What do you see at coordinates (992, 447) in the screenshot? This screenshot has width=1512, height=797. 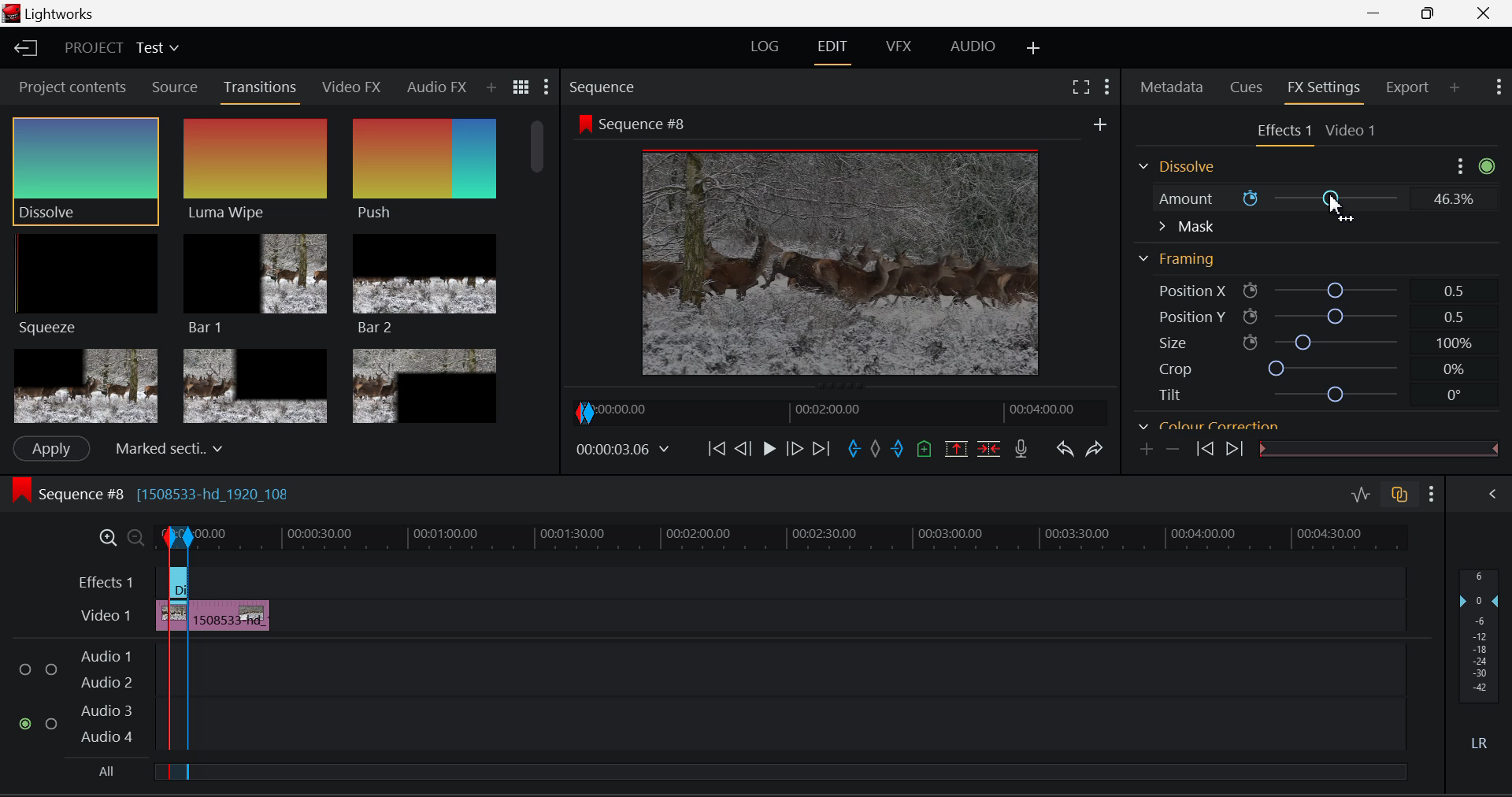 I see `Delete/Cut` at bounding box center [992, 447].